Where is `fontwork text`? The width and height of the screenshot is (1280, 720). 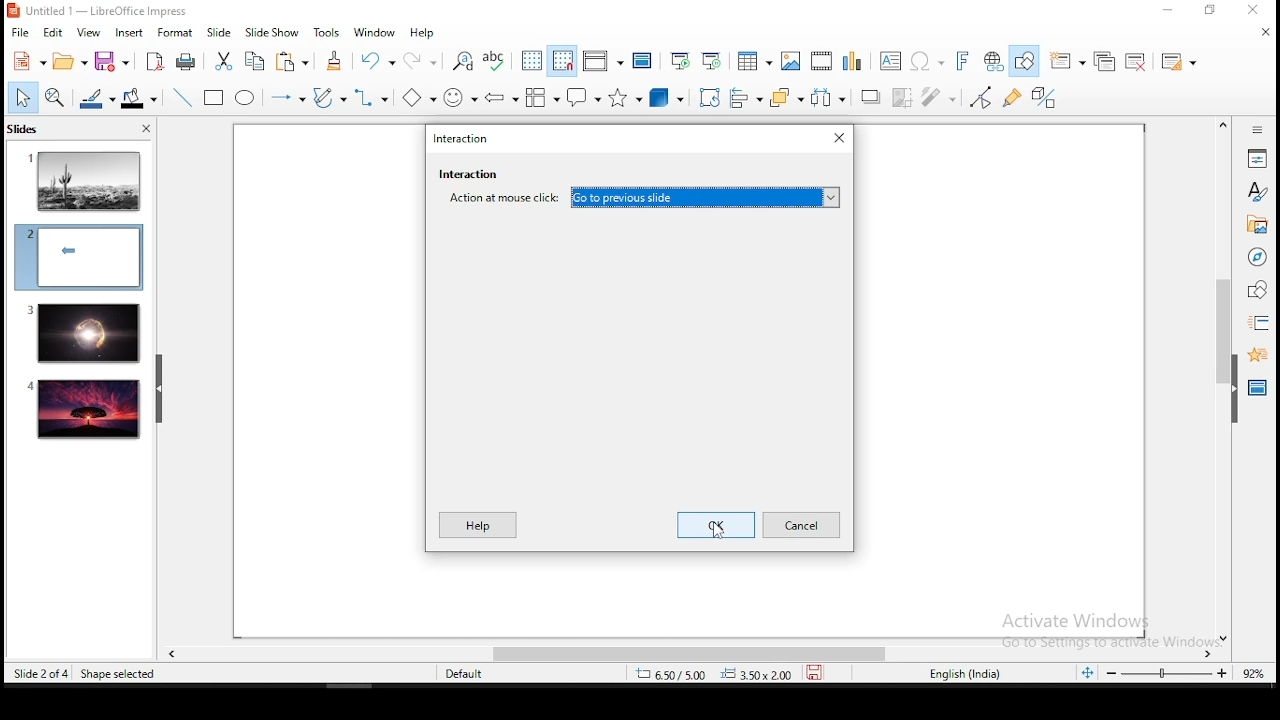 fontwork text is located at coordinates (961, 62).